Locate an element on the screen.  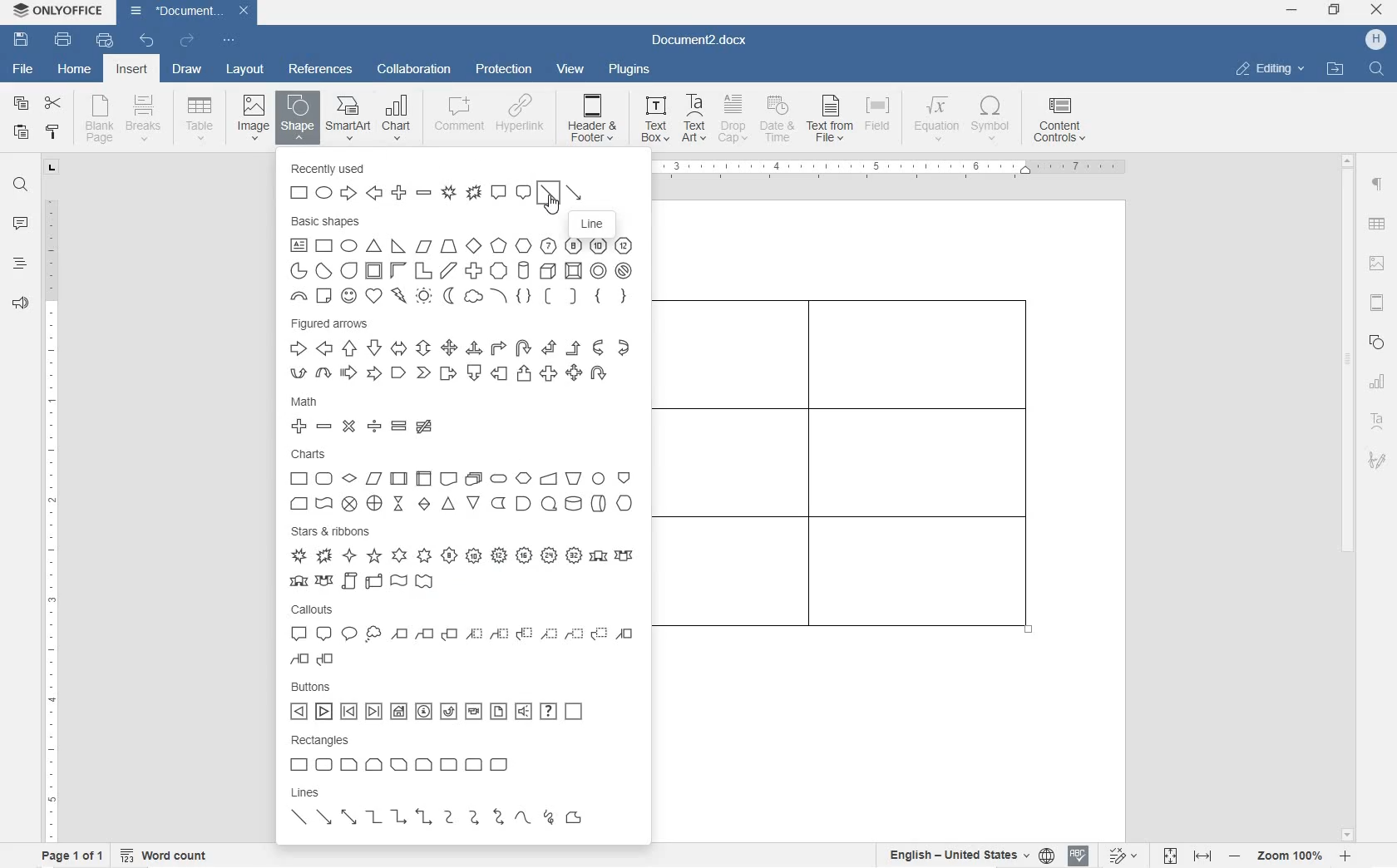
fit to page or width is located at coordinates (1187, 855).